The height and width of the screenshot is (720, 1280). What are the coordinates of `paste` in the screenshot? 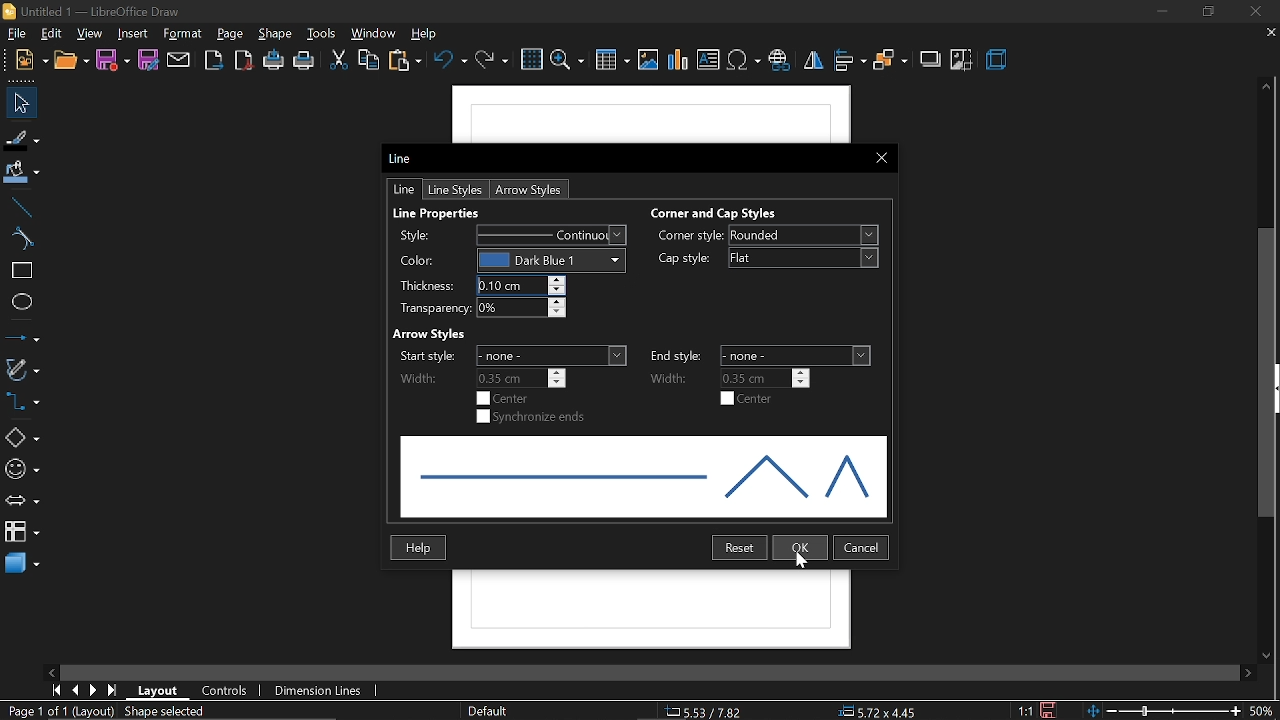 It's located at (405, 62).